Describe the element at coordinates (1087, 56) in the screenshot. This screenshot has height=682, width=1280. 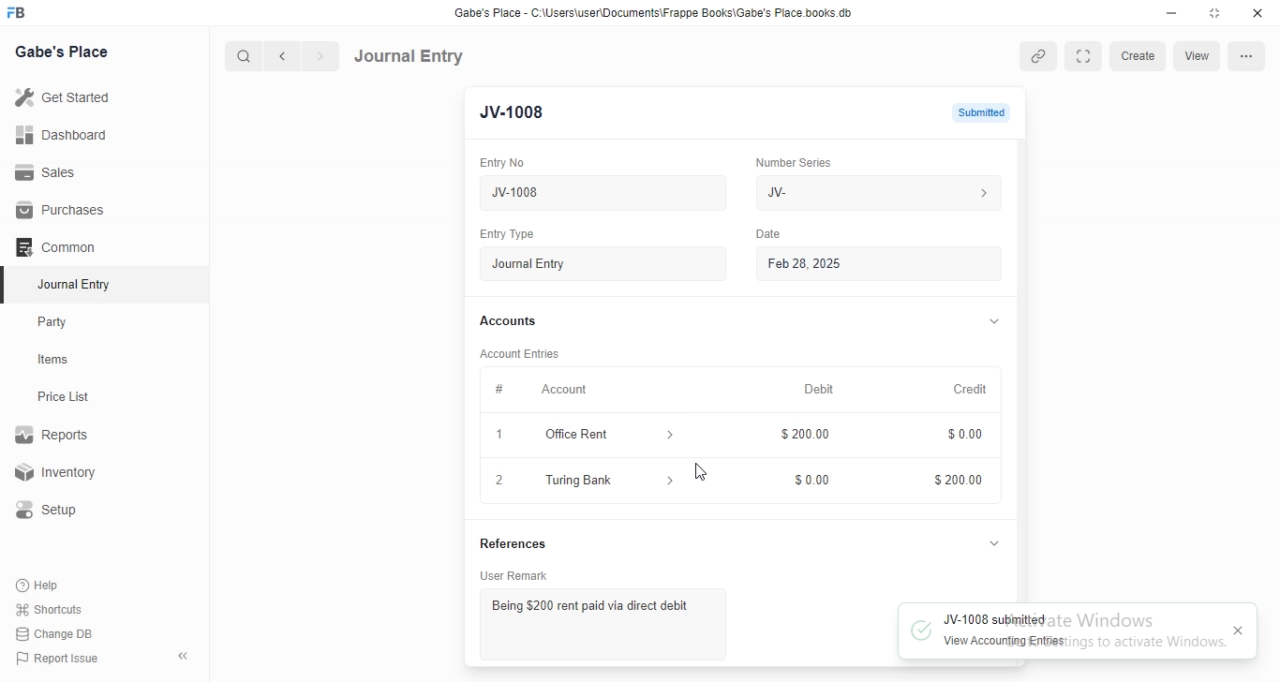
I see `fullscreen` at that location.